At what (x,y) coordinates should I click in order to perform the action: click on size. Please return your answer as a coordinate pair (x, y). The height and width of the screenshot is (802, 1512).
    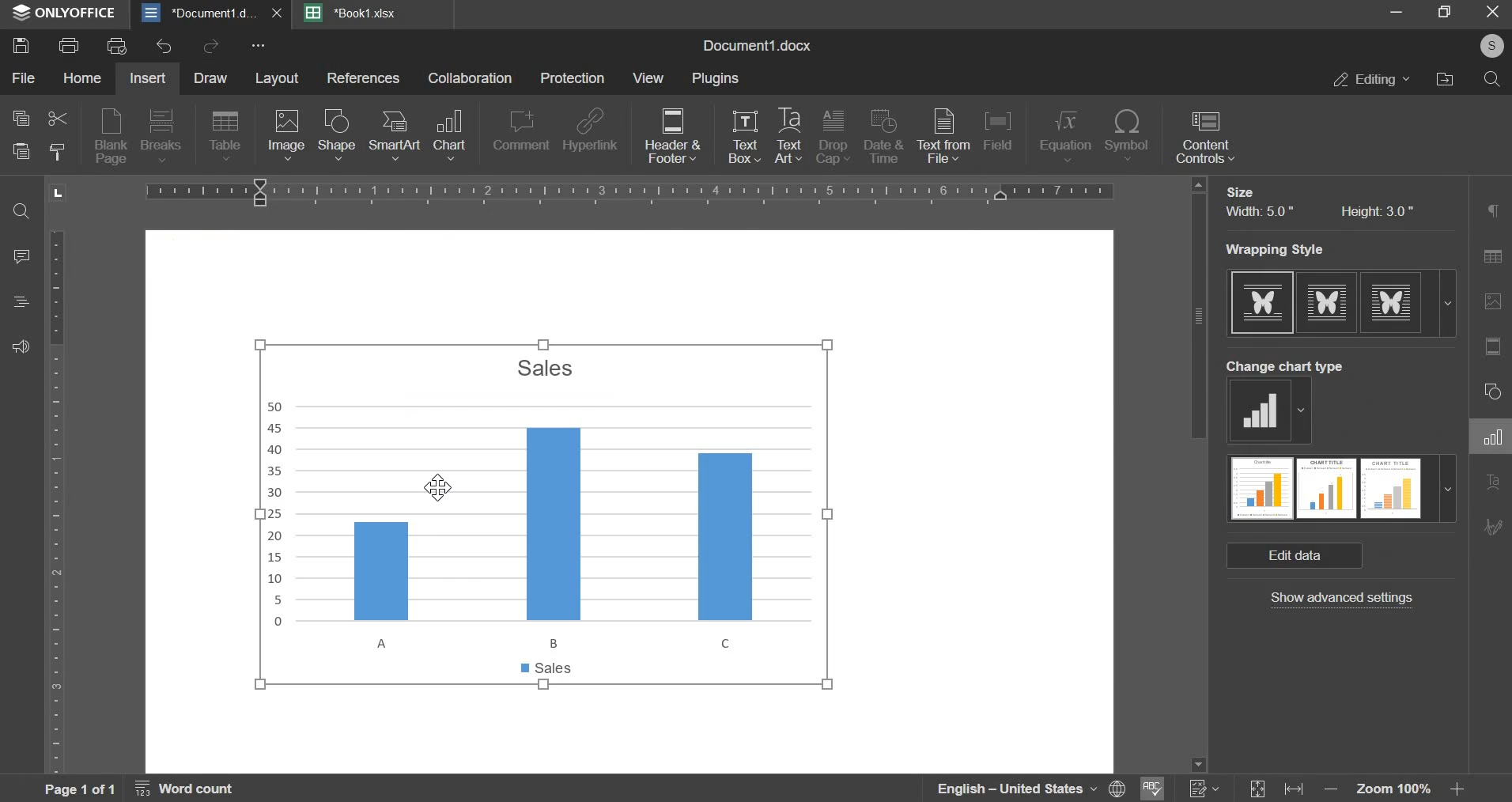
    Looking at the image, I should click on (1239, 191).